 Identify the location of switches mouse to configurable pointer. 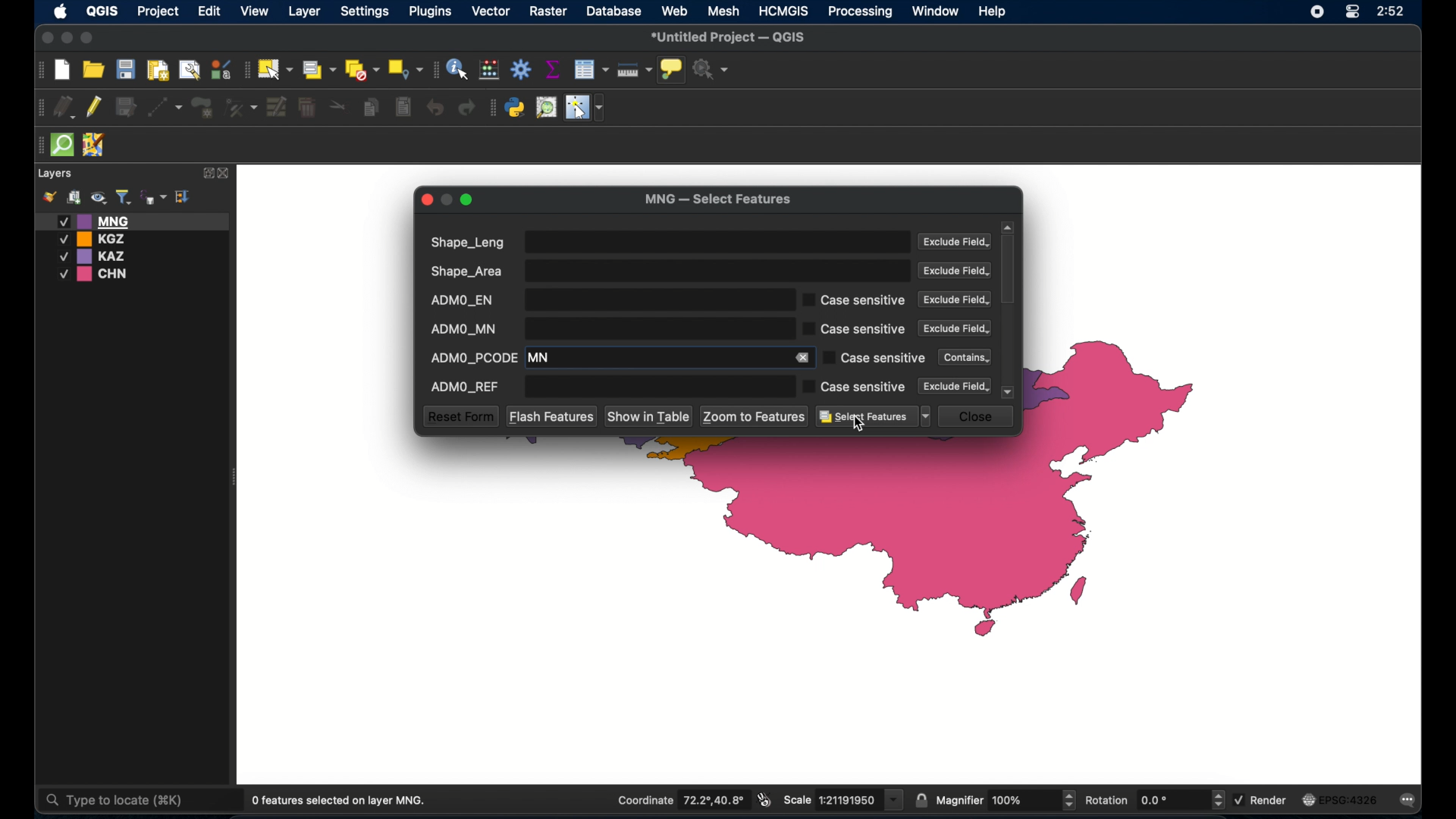
(585, 108).